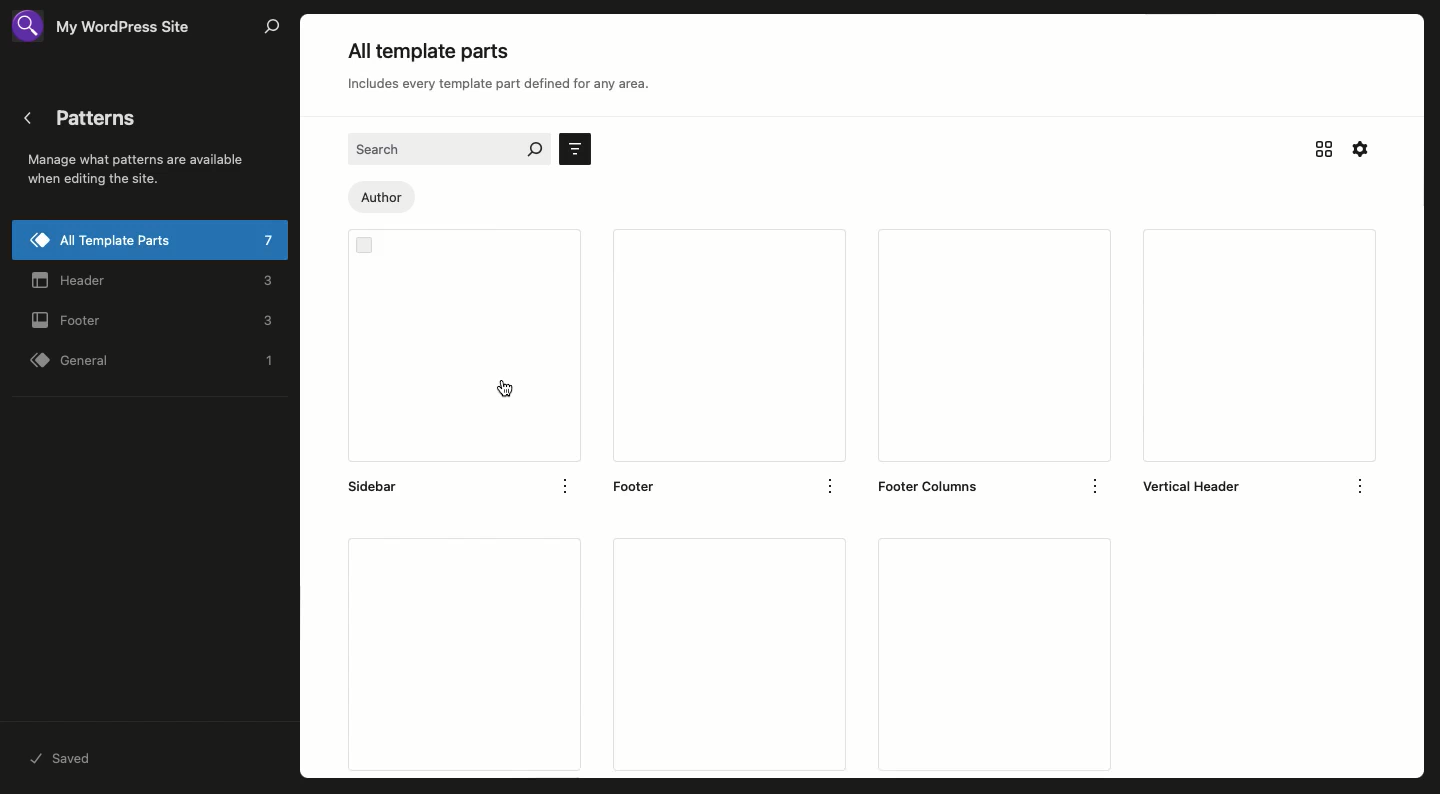 This screenshot has height=794, width=1440. I want to click on Footer, so click(729, 345).